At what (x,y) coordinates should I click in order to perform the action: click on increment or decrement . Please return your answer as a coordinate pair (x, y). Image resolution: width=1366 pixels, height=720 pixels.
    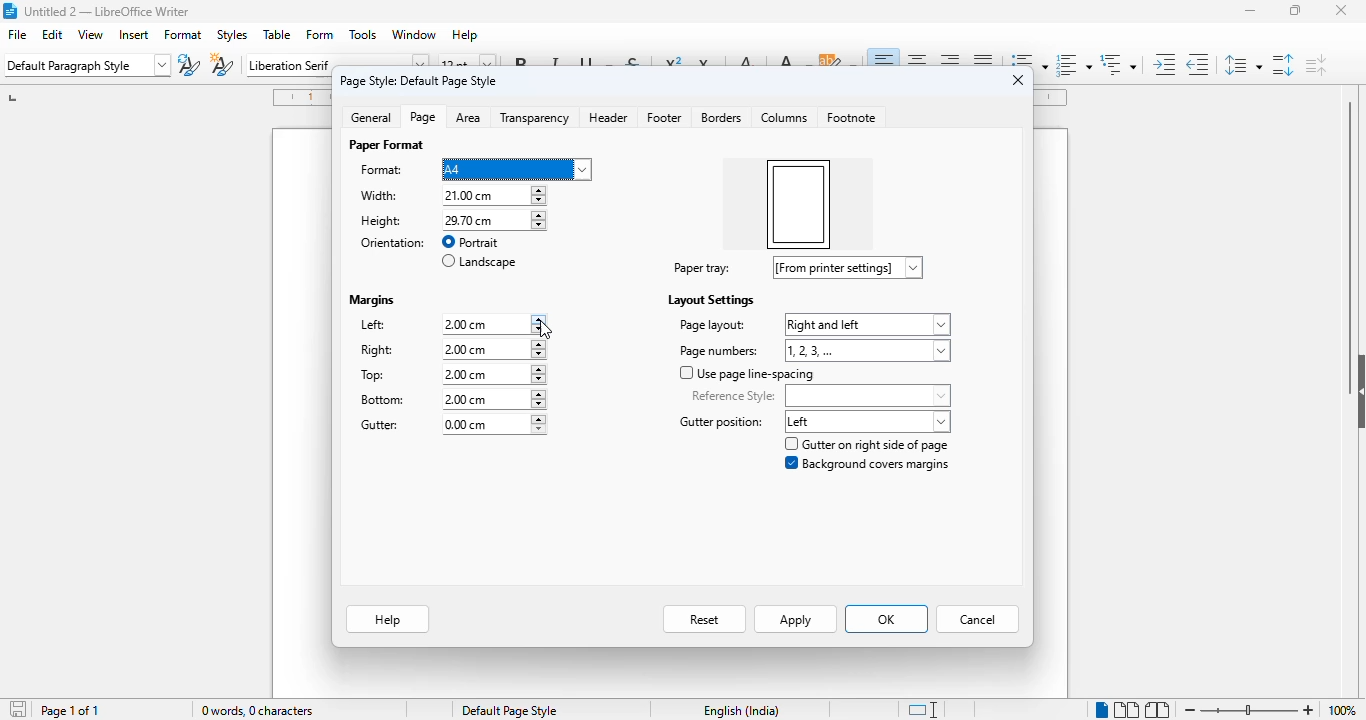
    Looking at the image, I should click on (543, 351).